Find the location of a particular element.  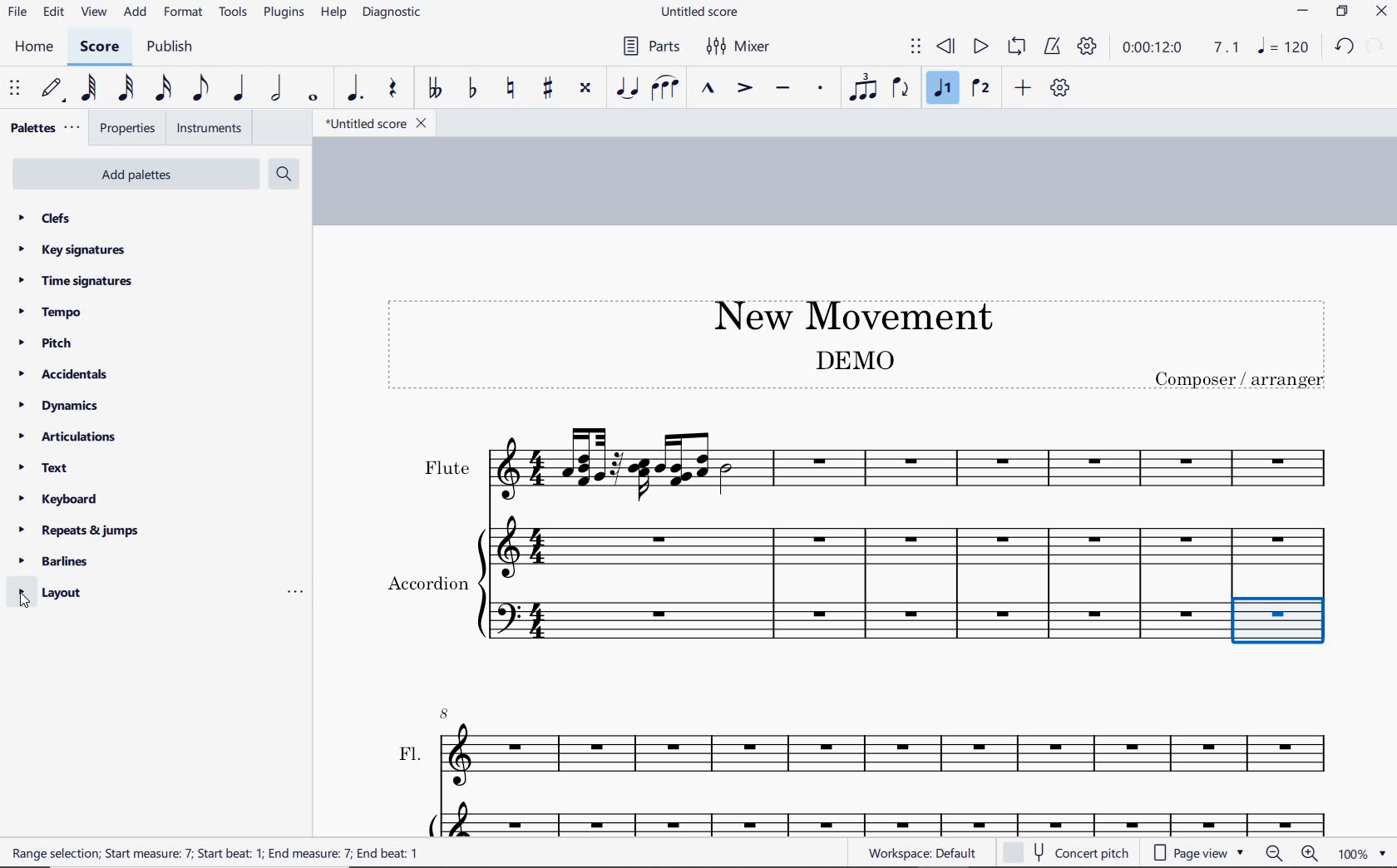

playback settings is located at coordinates (1089, 46).